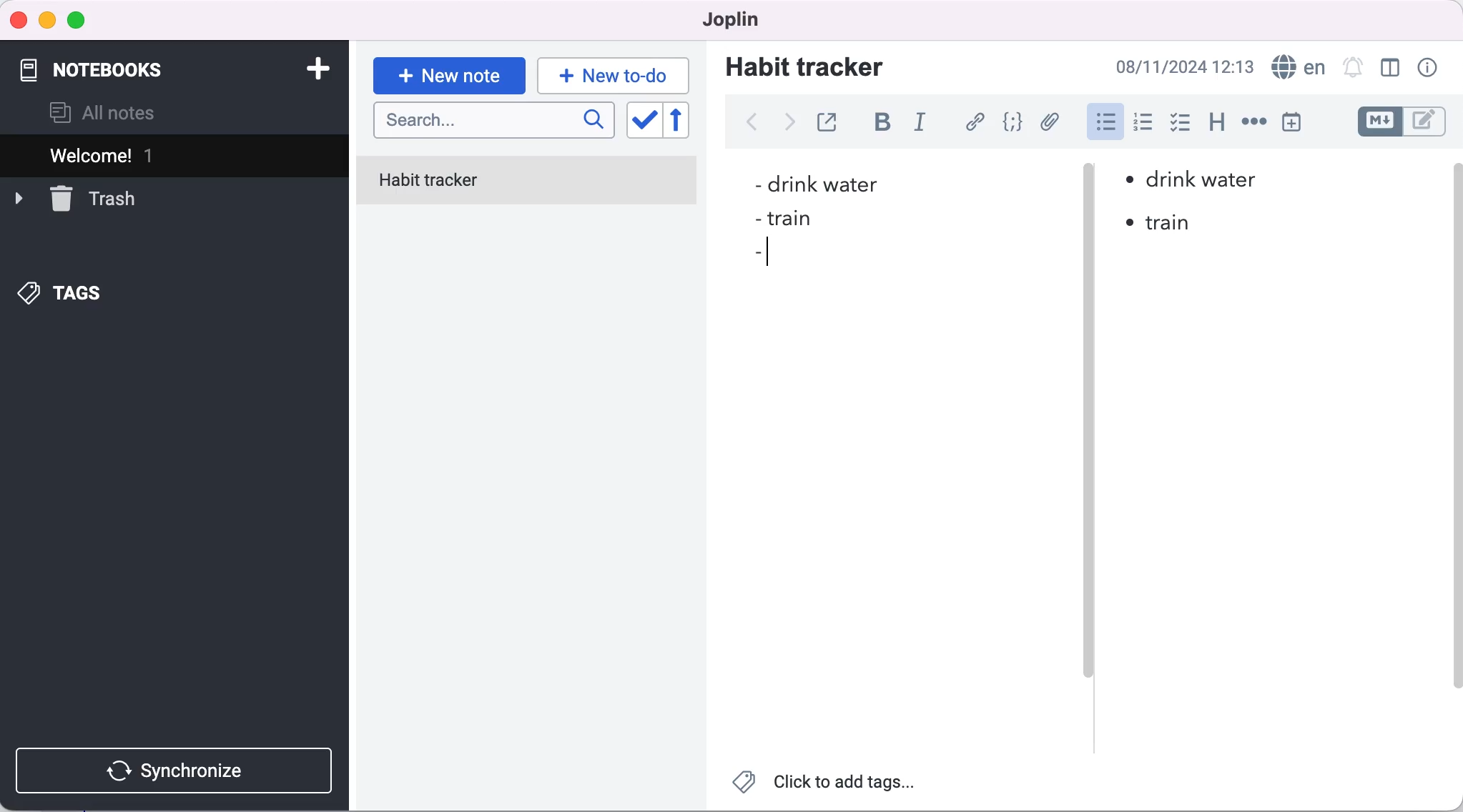  Describe the element at coordinates (1352, 66) in the screenshot. I see `set alarm` at that location.